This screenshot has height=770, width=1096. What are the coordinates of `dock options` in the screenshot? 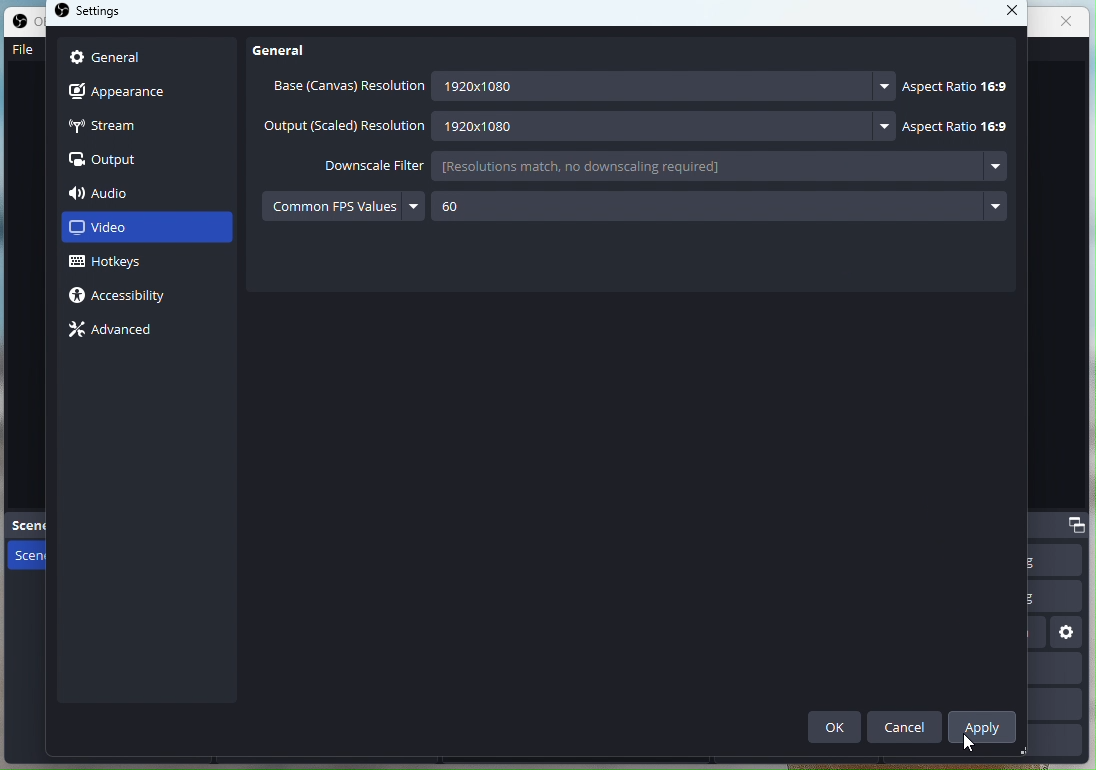 It's located at (1078, 524).